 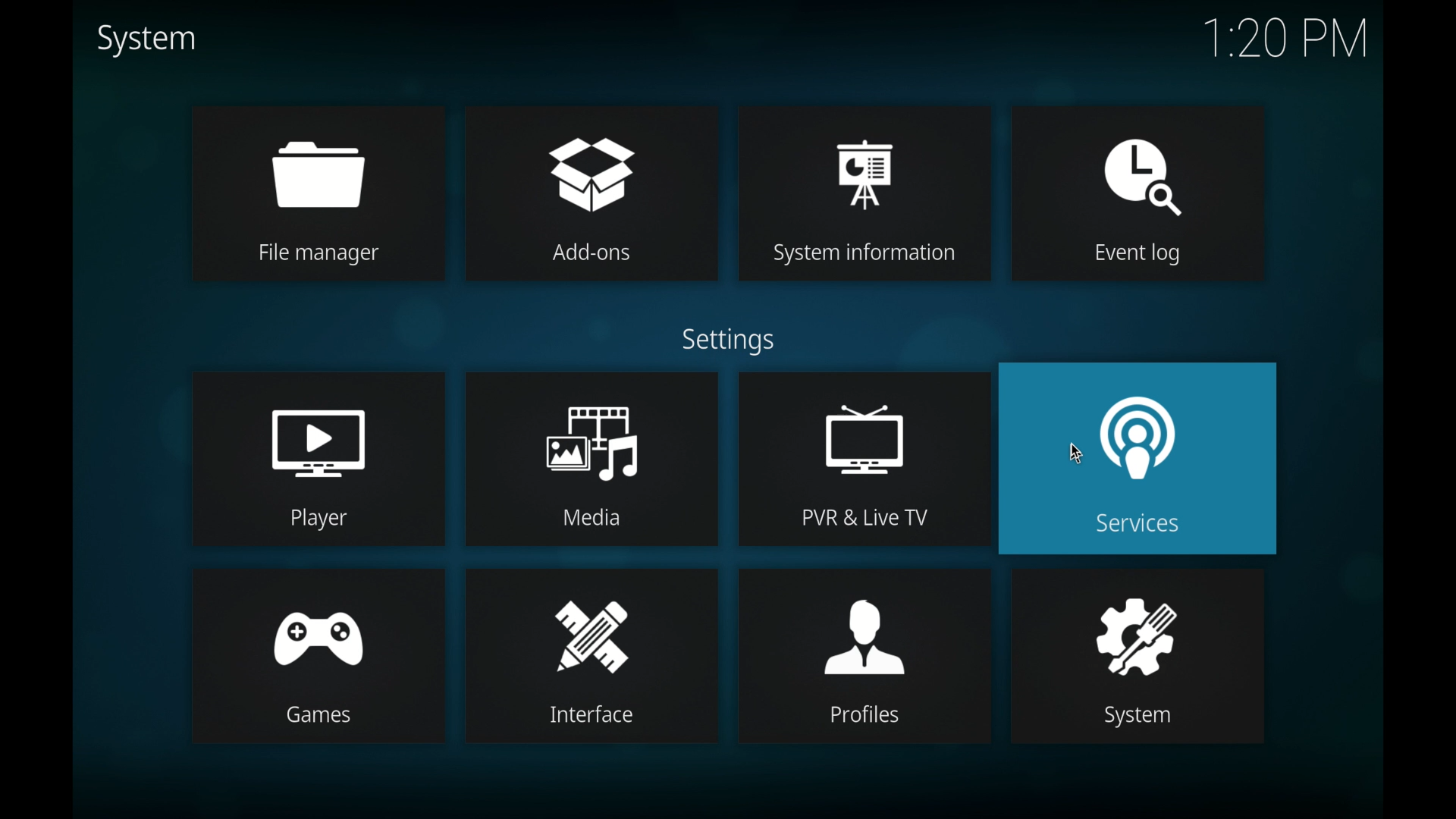 I want to click on media, so click(x=591, y=460).